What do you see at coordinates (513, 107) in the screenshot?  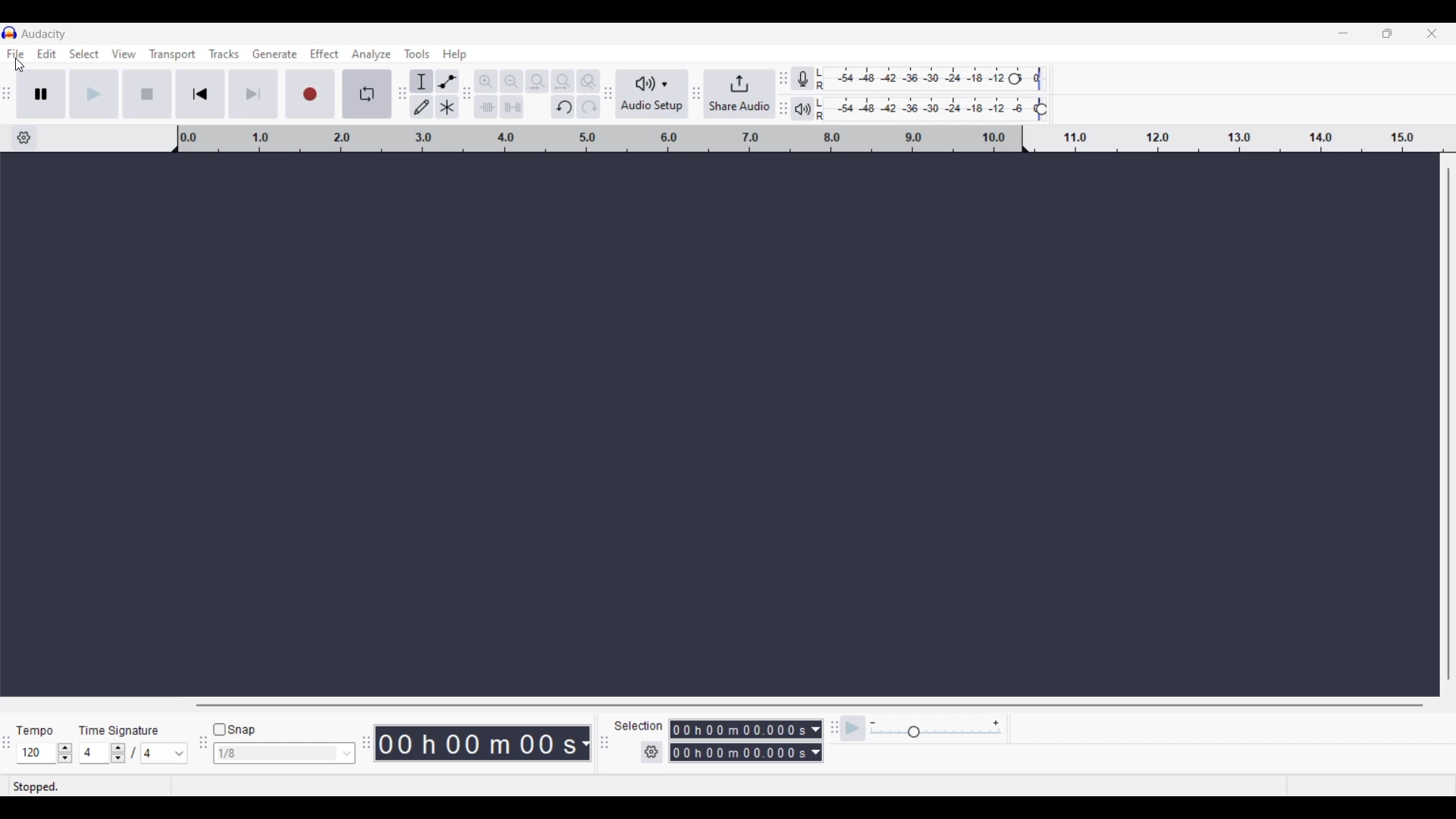 I see `Silence audio selection` at bounding box center [513, 107].